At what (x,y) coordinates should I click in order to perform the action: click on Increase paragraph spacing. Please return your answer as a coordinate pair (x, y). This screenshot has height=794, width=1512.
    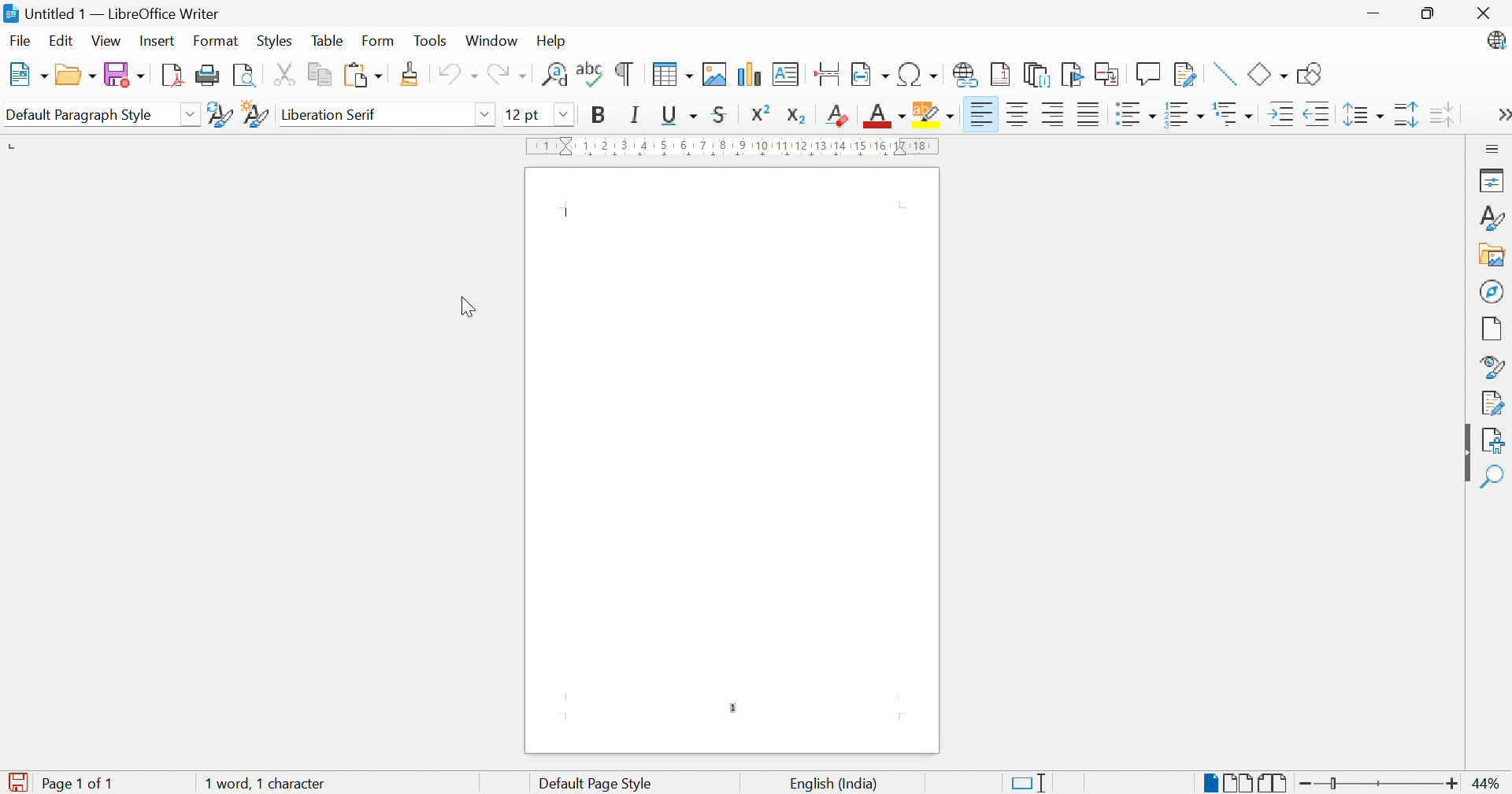
    Looking at the image, I should click on (1407, 116).